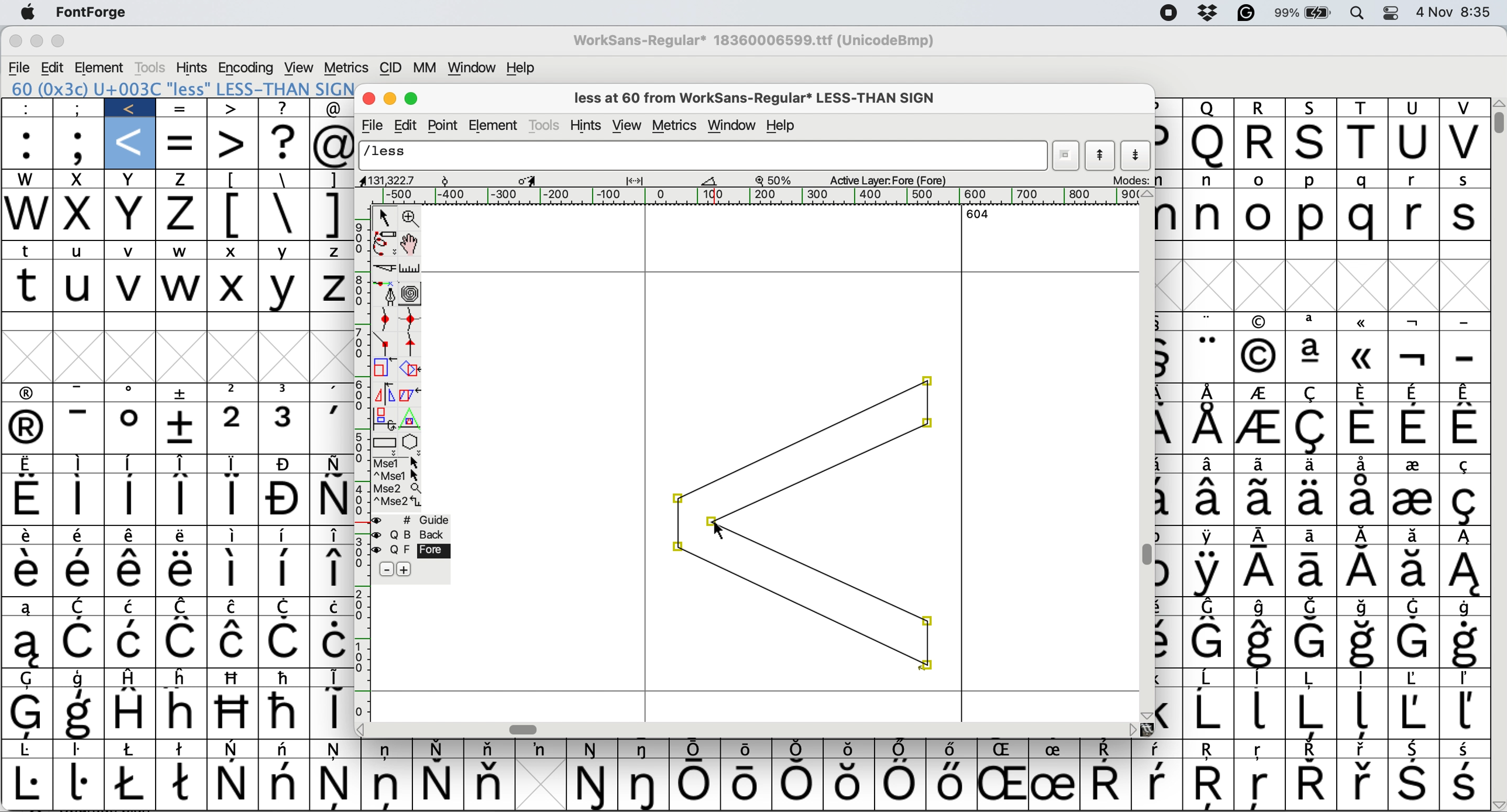 The width and height of the screenshot is (1507, 812). What do you see at coordinates (90, 13) in the screenshot?
I see `fontforge` at bounding box center [90, 13].